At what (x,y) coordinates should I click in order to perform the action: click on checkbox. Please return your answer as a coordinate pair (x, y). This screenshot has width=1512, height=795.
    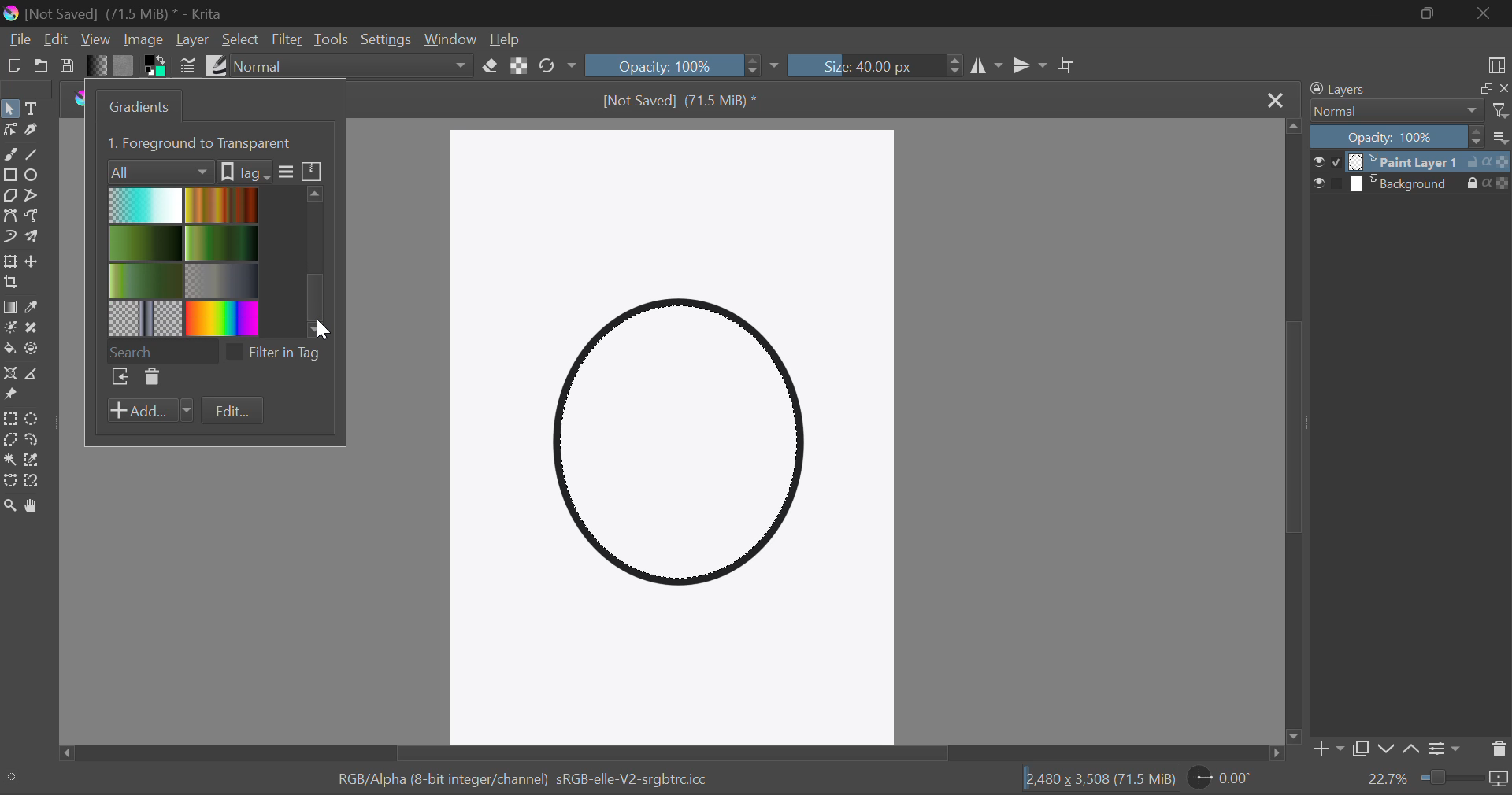
    Looking at the image, I should click on (1329, 183).